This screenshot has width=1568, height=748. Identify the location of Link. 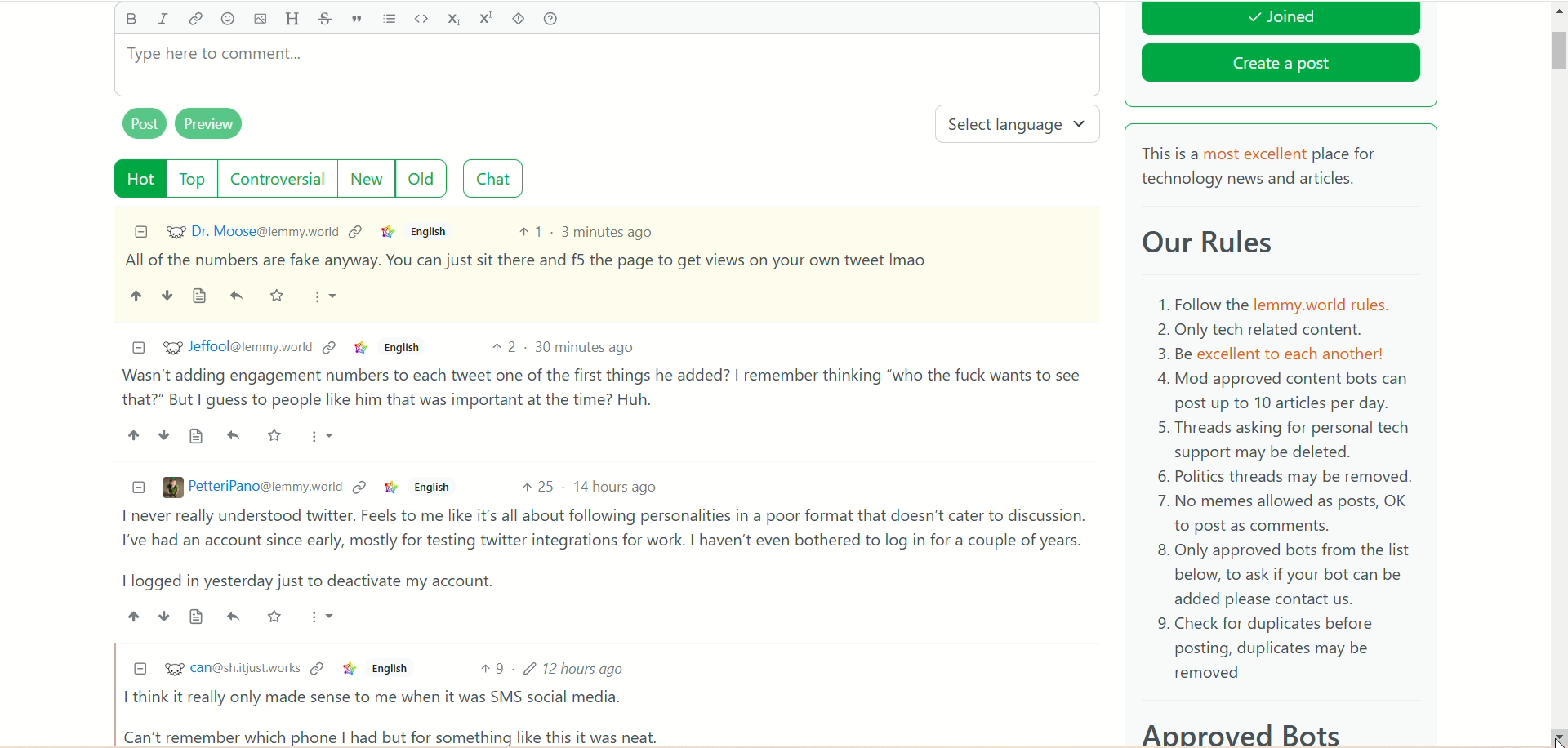
(331, 347).